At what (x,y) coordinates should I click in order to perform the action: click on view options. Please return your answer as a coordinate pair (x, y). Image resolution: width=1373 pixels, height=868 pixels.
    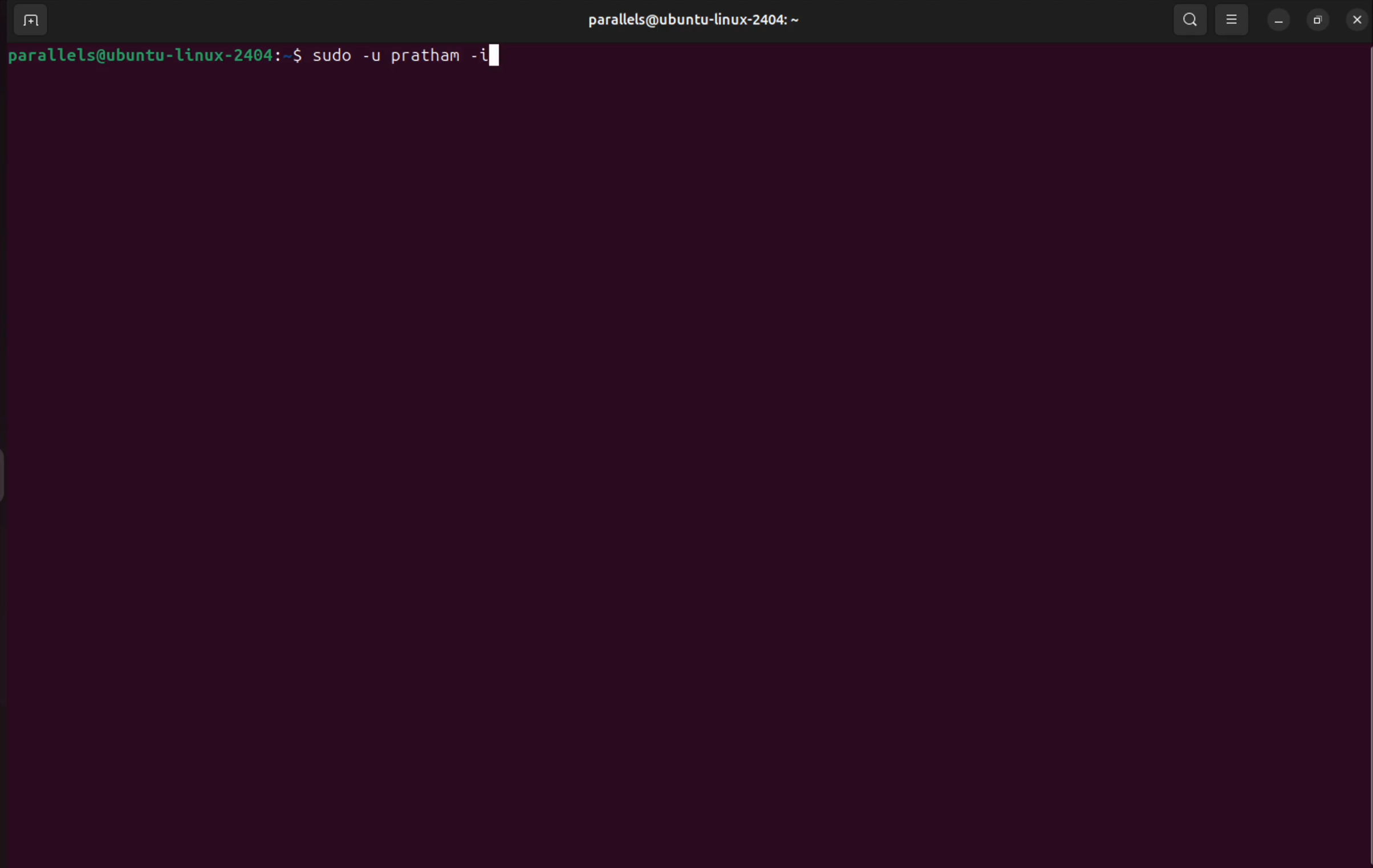
    Looking at the image, I should click on (1235, 17).